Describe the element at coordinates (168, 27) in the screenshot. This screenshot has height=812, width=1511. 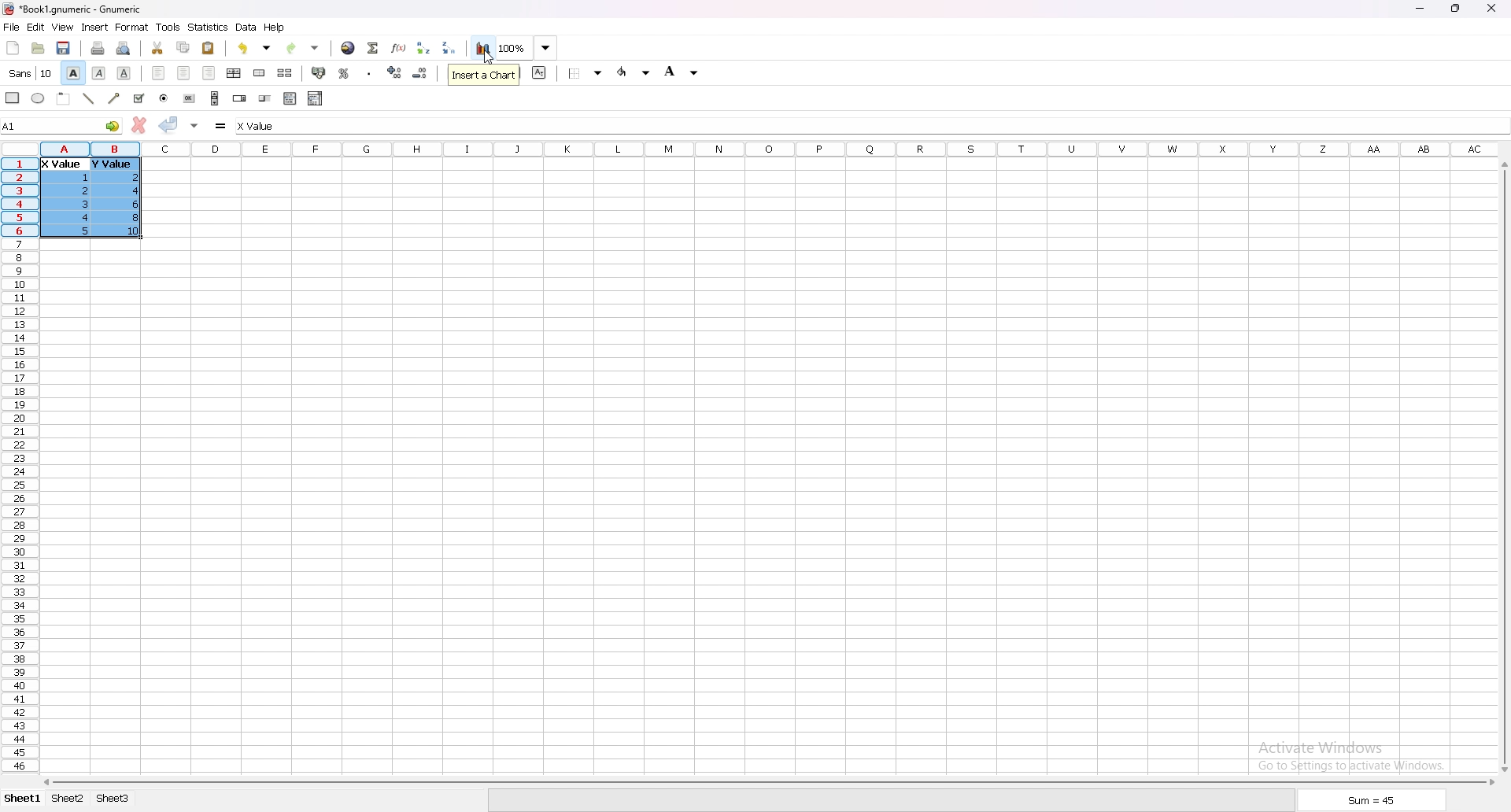
I see `tools` at that location.